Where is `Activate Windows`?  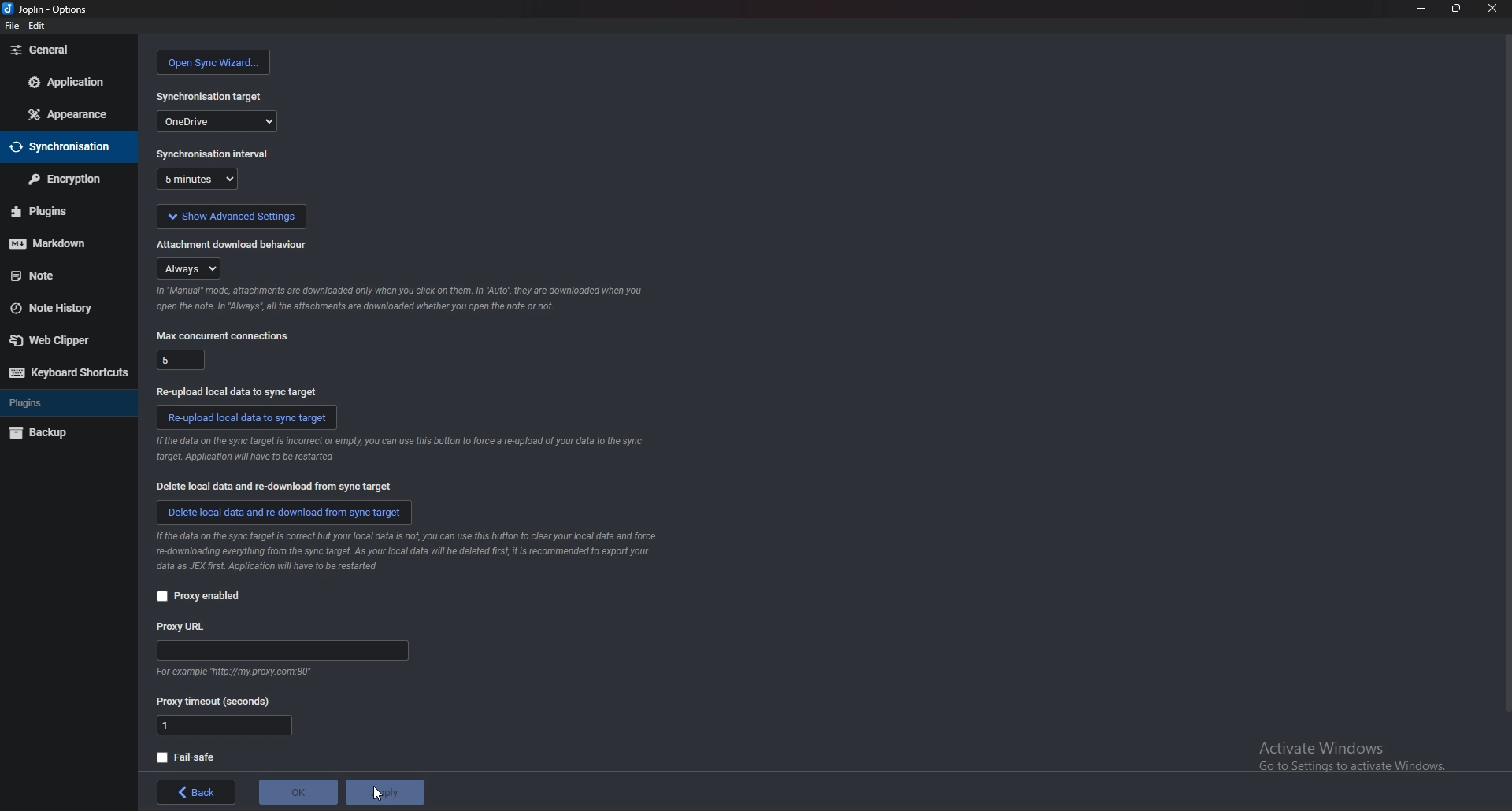
Activate Windows is located at coordinates (1349, 754).